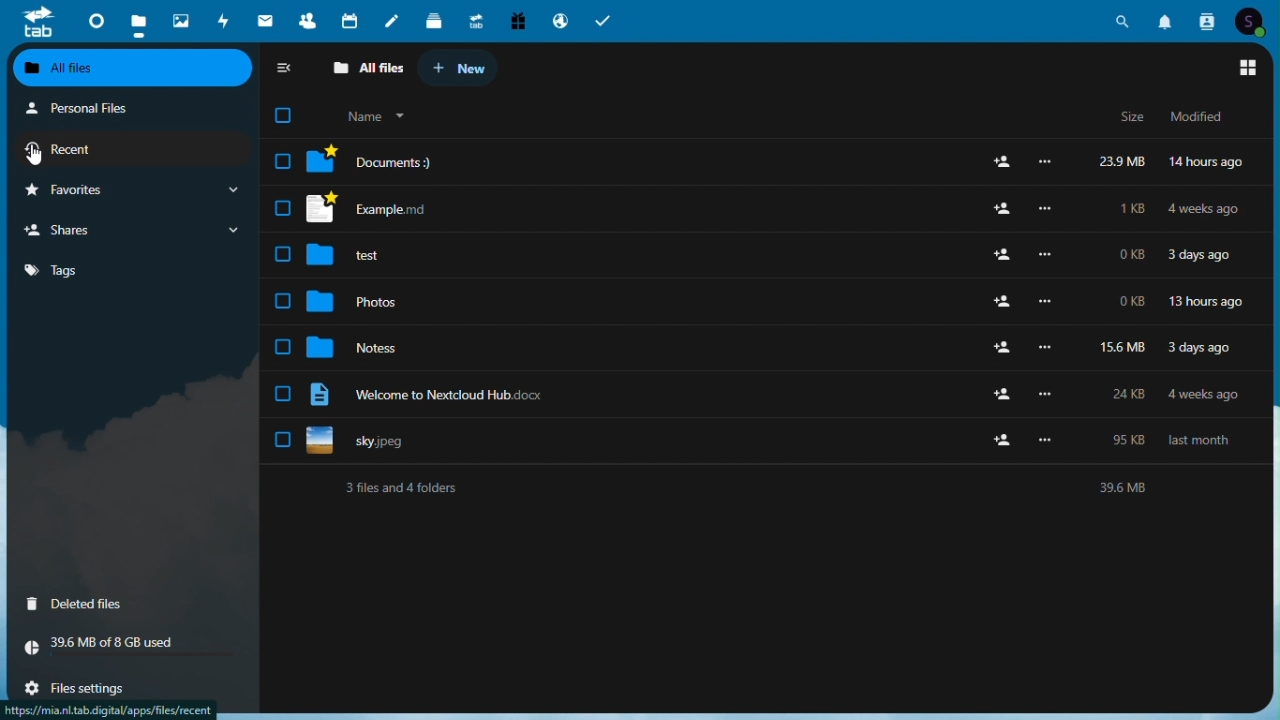 Image resolution: width=1280 pixels, height=720 pixels. What do you see at coordinates (34, 22) in the screenshot?
I see `tab` at bounding box center [34, 22].